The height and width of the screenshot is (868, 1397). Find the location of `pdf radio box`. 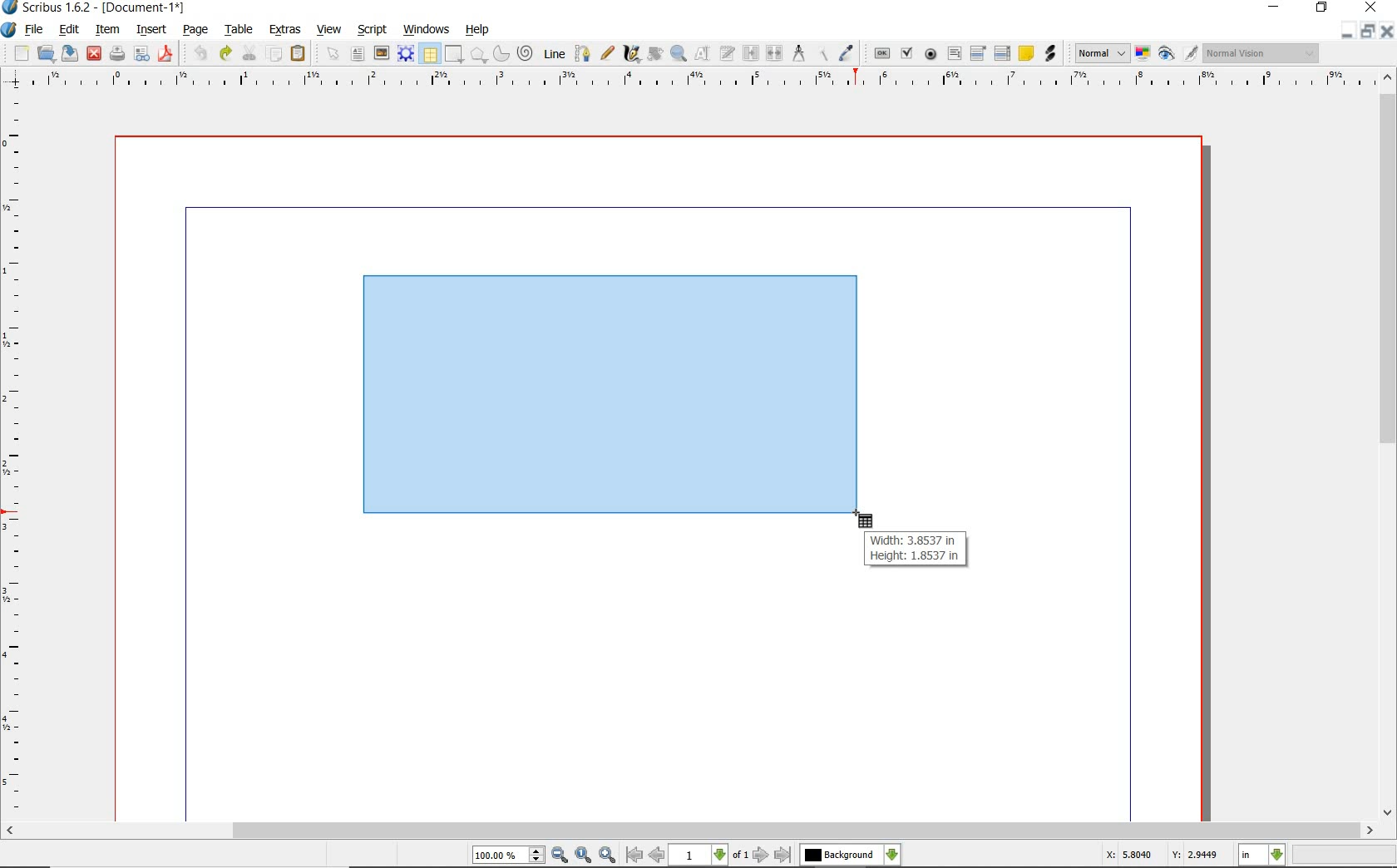

pdf radio box is located at coordinates (931, 55).